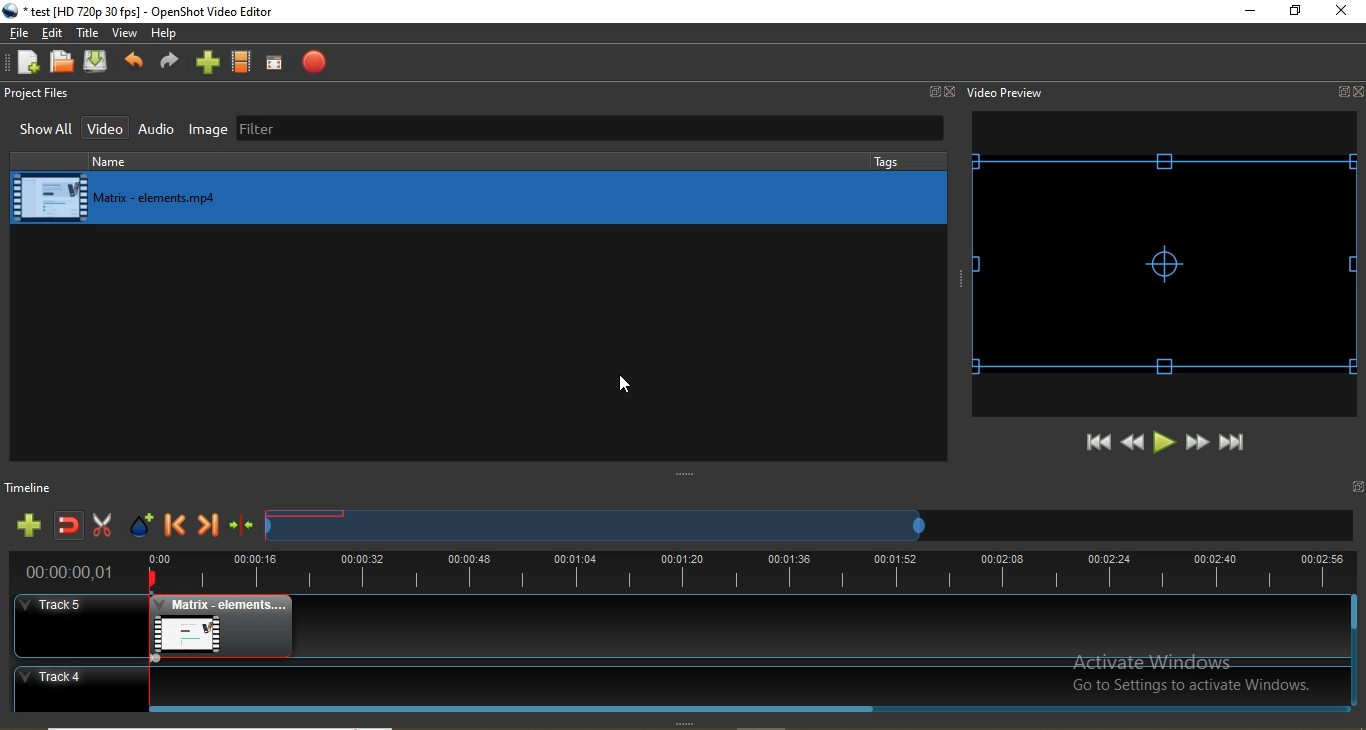 The image size is (1366, 730). I want to click on Choose profiles, so click(242, 62).